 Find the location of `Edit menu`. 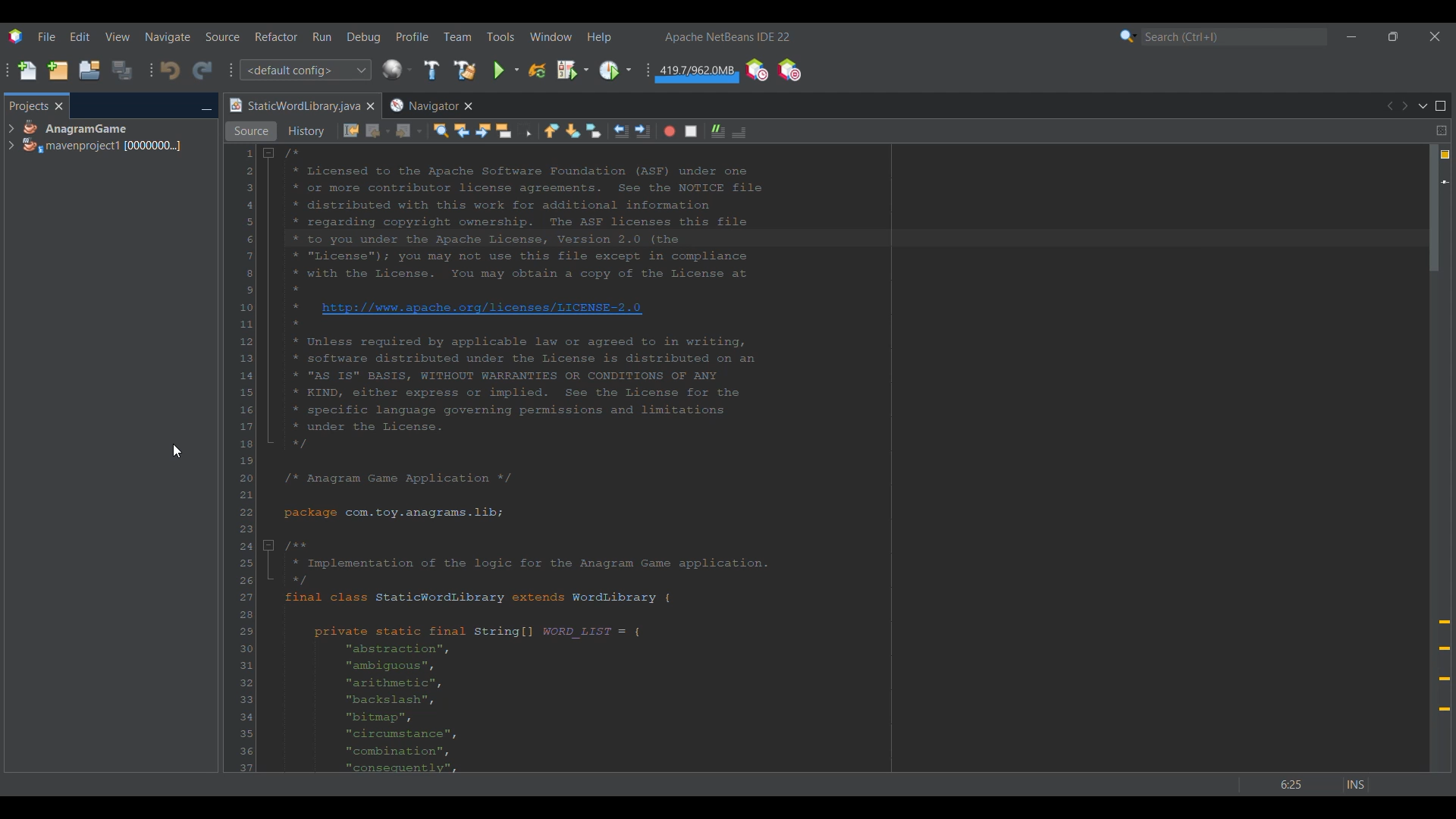

Edit menu is located at coordinates (80, 37).